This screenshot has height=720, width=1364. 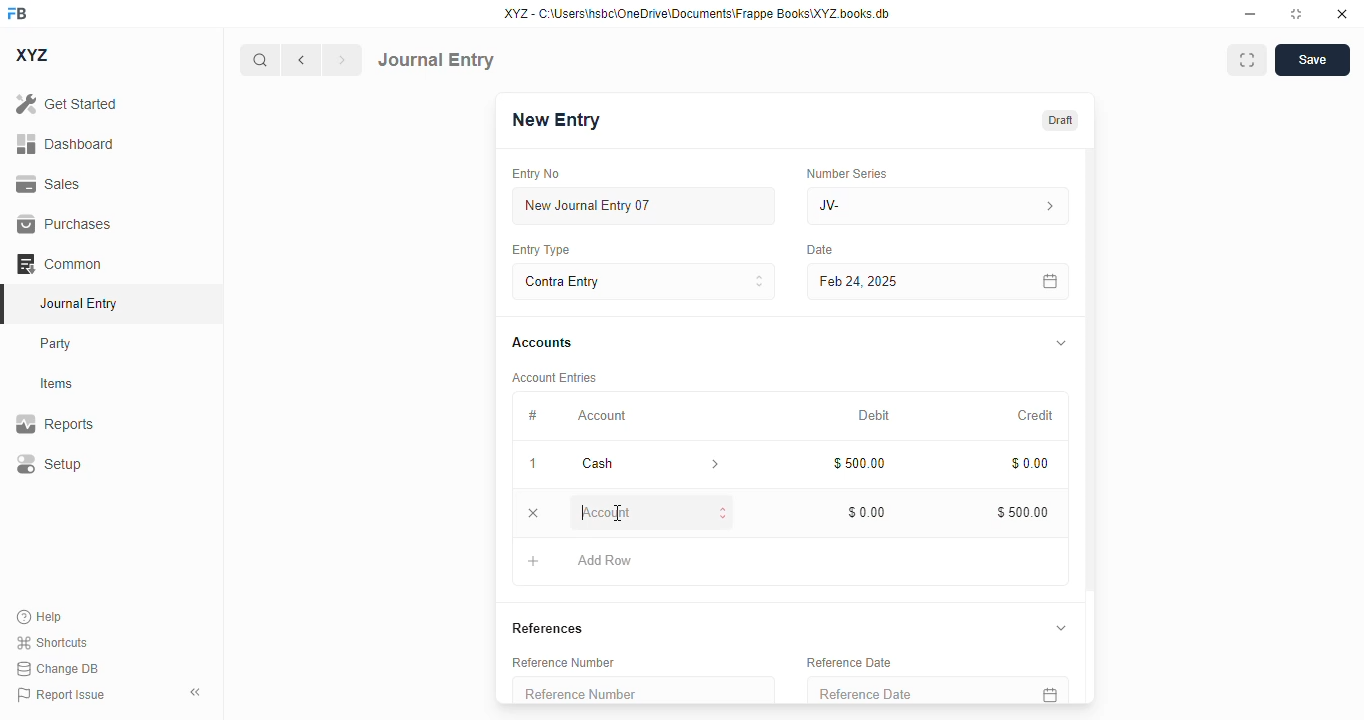 I want to click on calendar icon, so click(x=1049, y=691).